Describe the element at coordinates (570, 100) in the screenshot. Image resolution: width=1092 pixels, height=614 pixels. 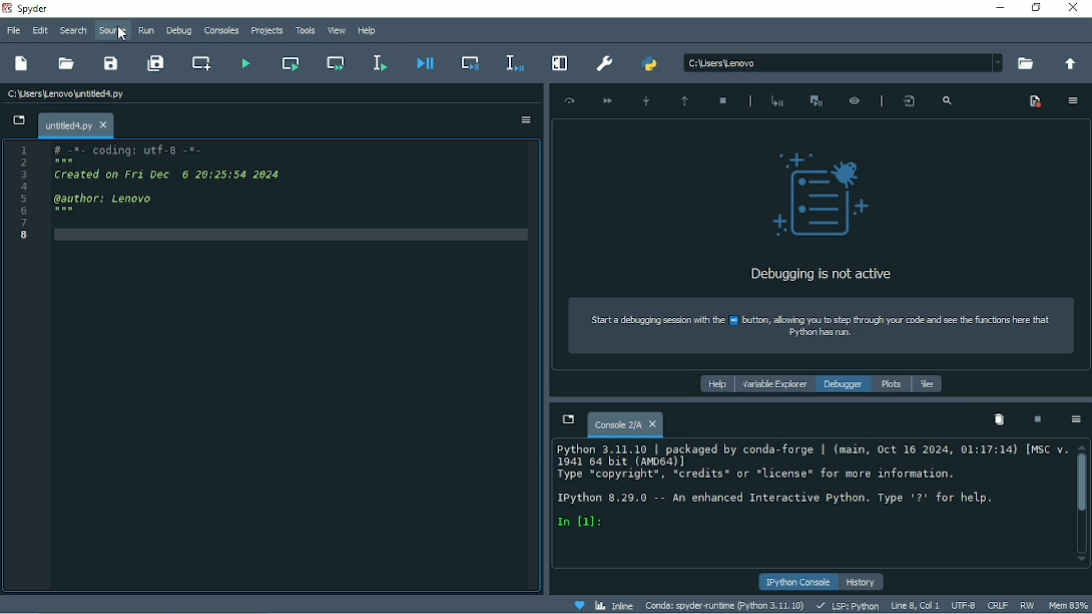
I see `Execute current line` at that location.